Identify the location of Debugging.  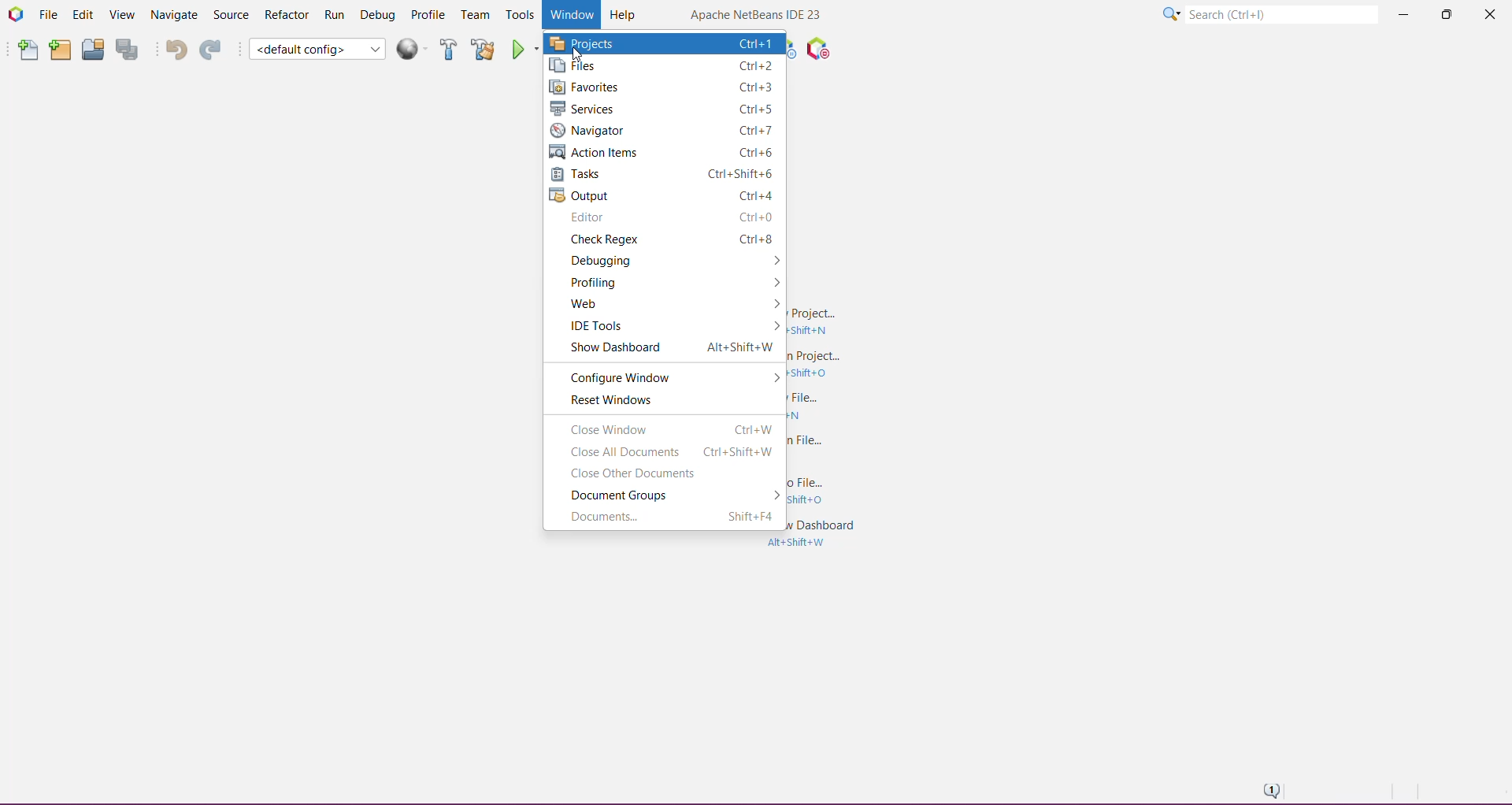
(636, 261).